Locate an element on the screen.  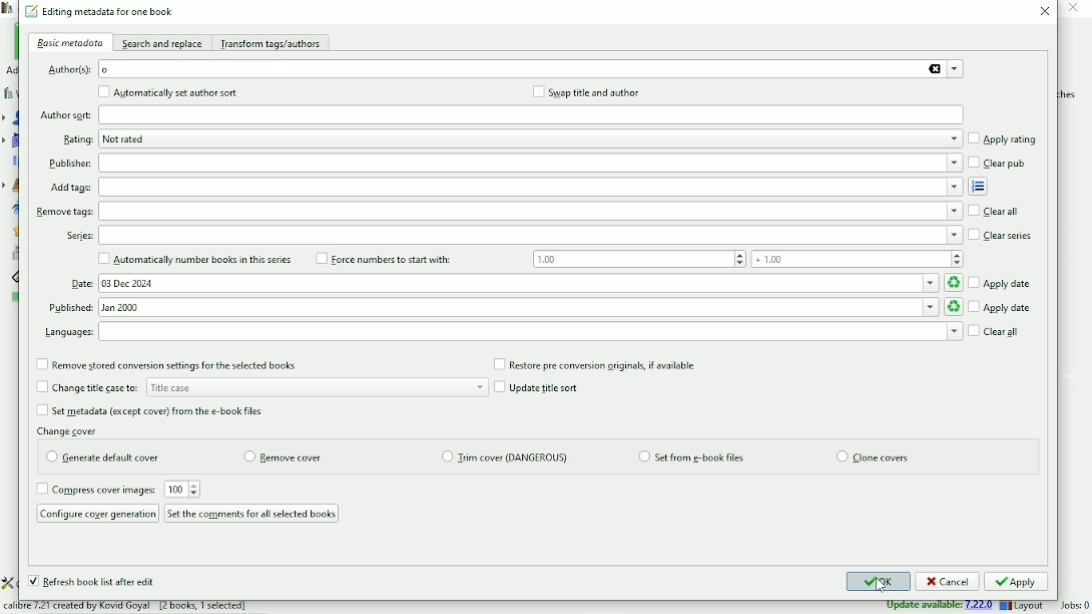
Rating is located at coordinates (73, 140).